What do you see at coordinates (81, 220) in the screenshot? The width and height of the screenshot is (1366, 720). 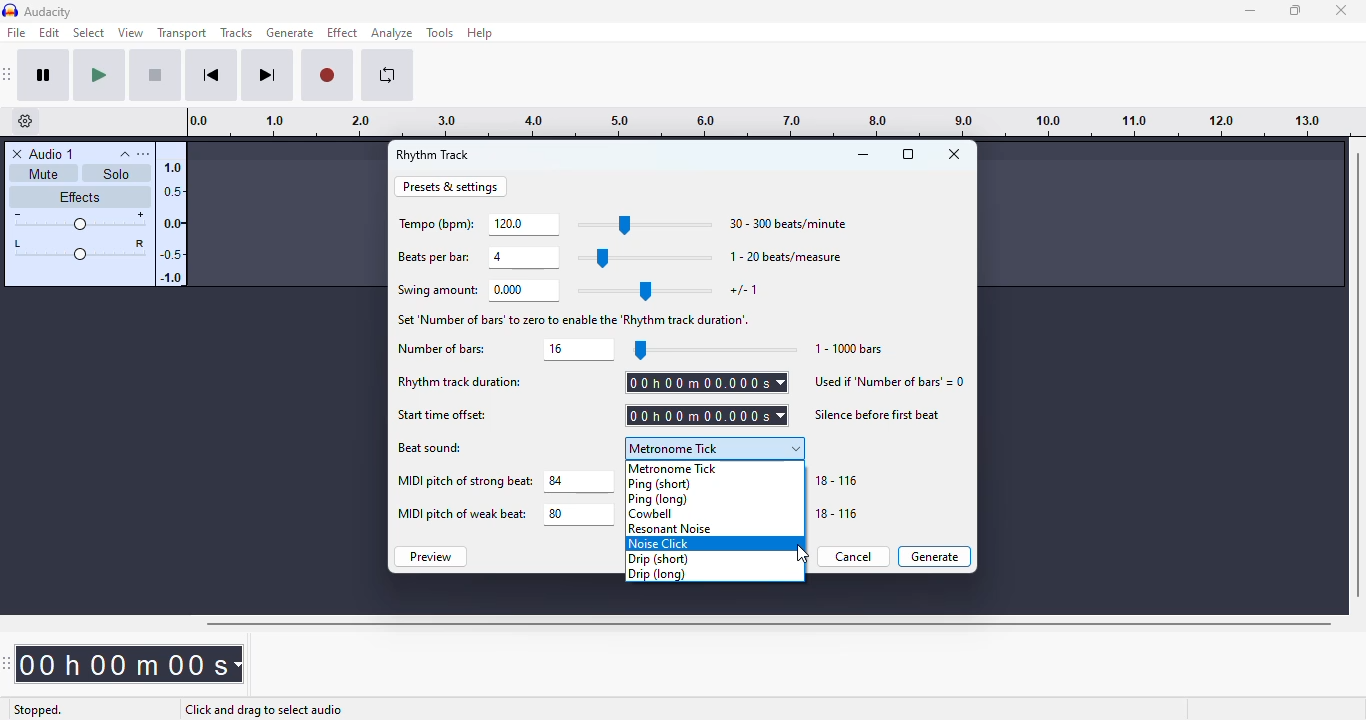 I see `volume` at bounding box center [81, 220].